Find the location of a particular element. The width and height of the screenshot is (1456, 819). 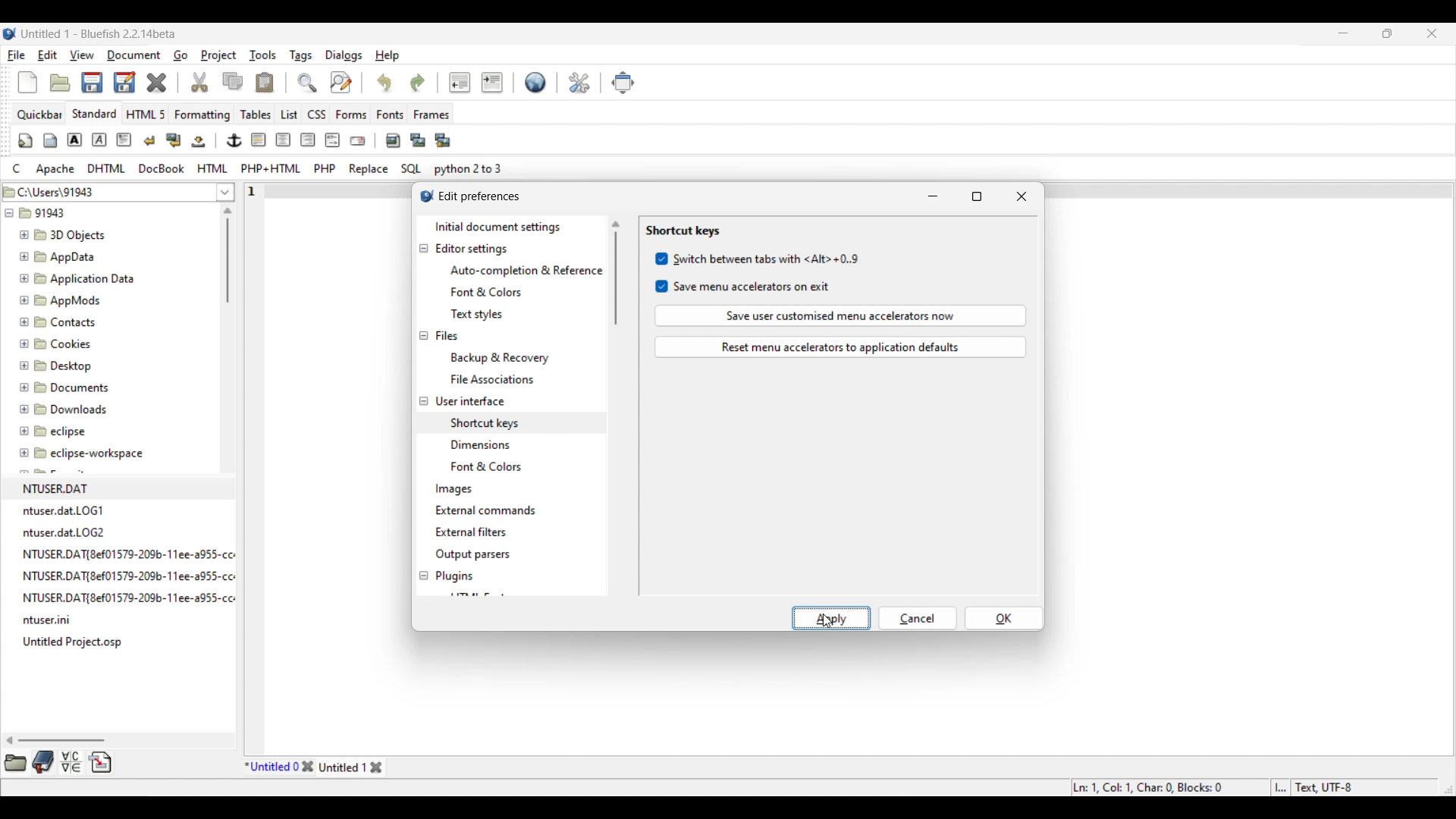

untitled project.osp is located at coordinates (76, 642).